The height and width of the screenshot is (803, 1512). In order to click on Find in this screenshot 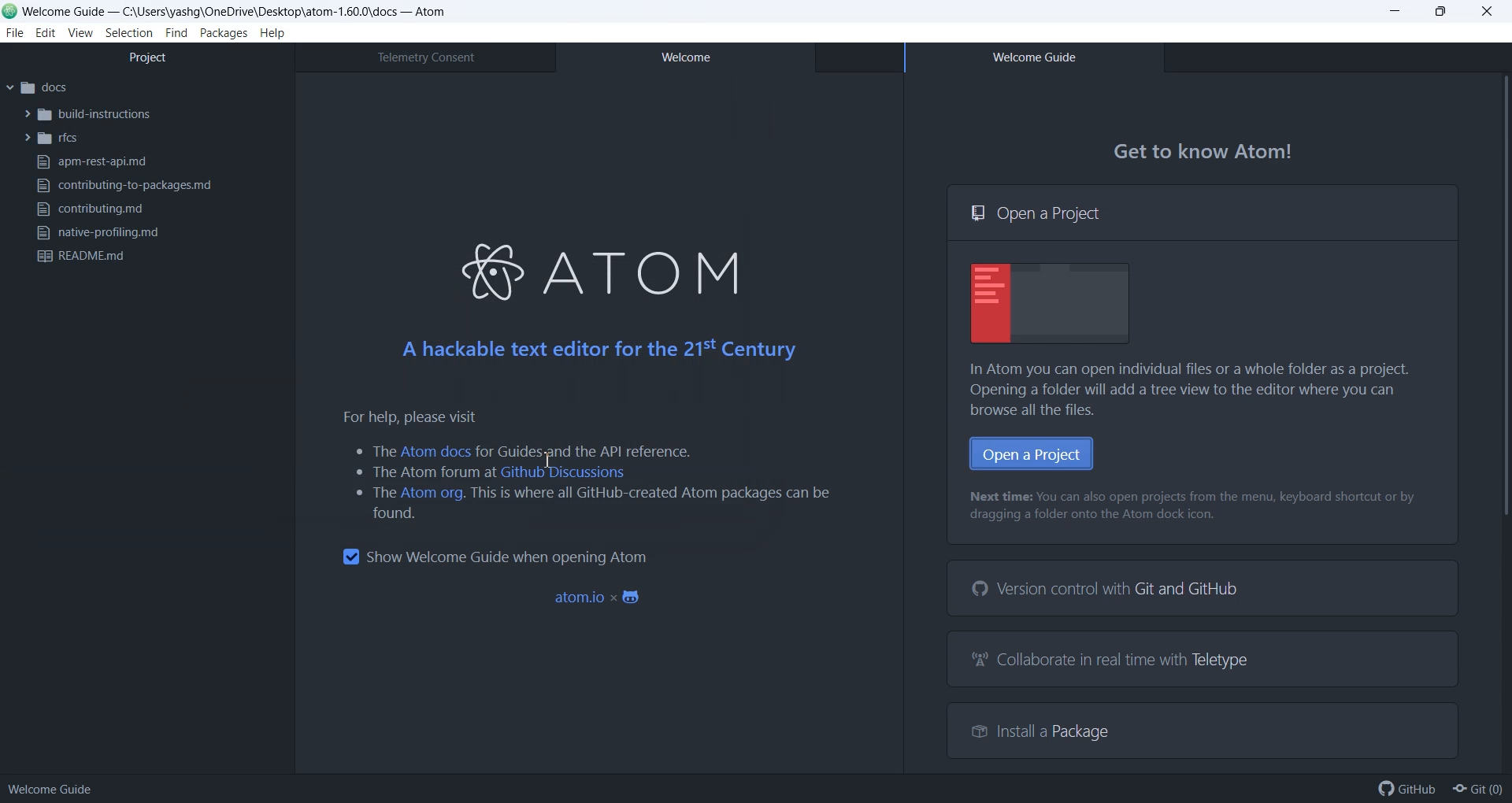, I will do `click(177, 33)`.